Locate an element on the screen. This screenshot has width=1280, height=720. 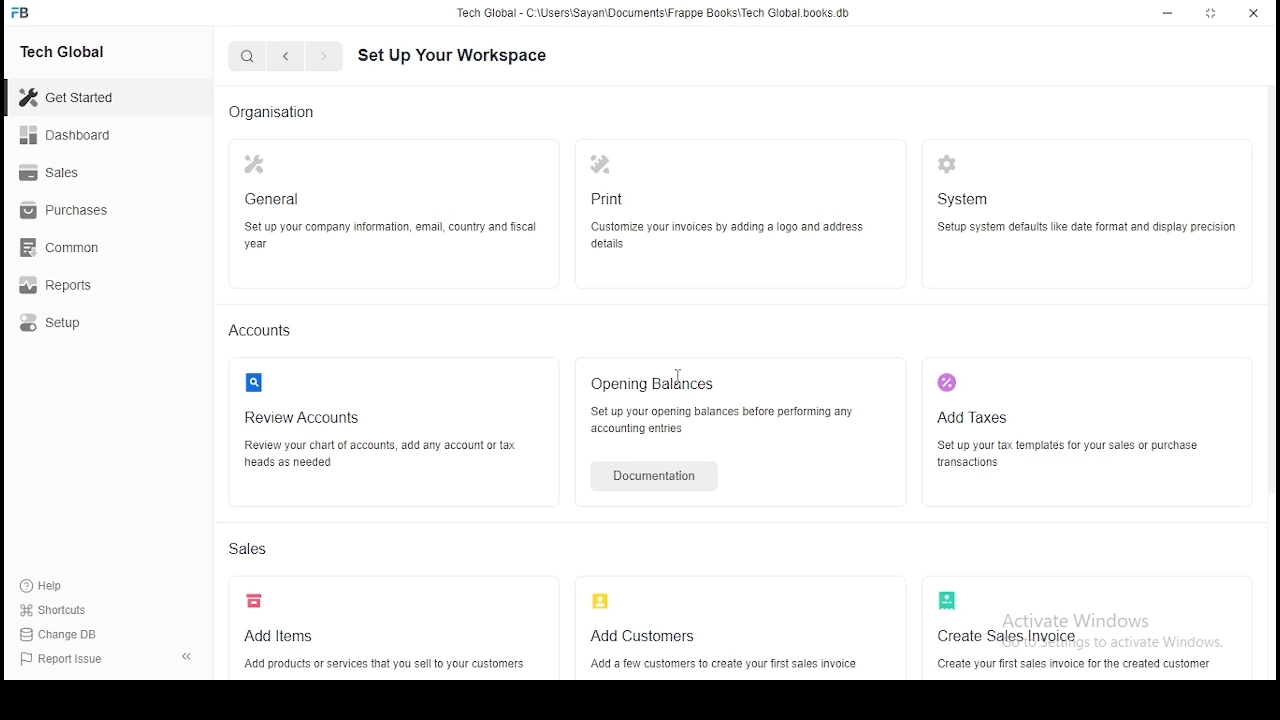
search is located at coordinates (246, 57).